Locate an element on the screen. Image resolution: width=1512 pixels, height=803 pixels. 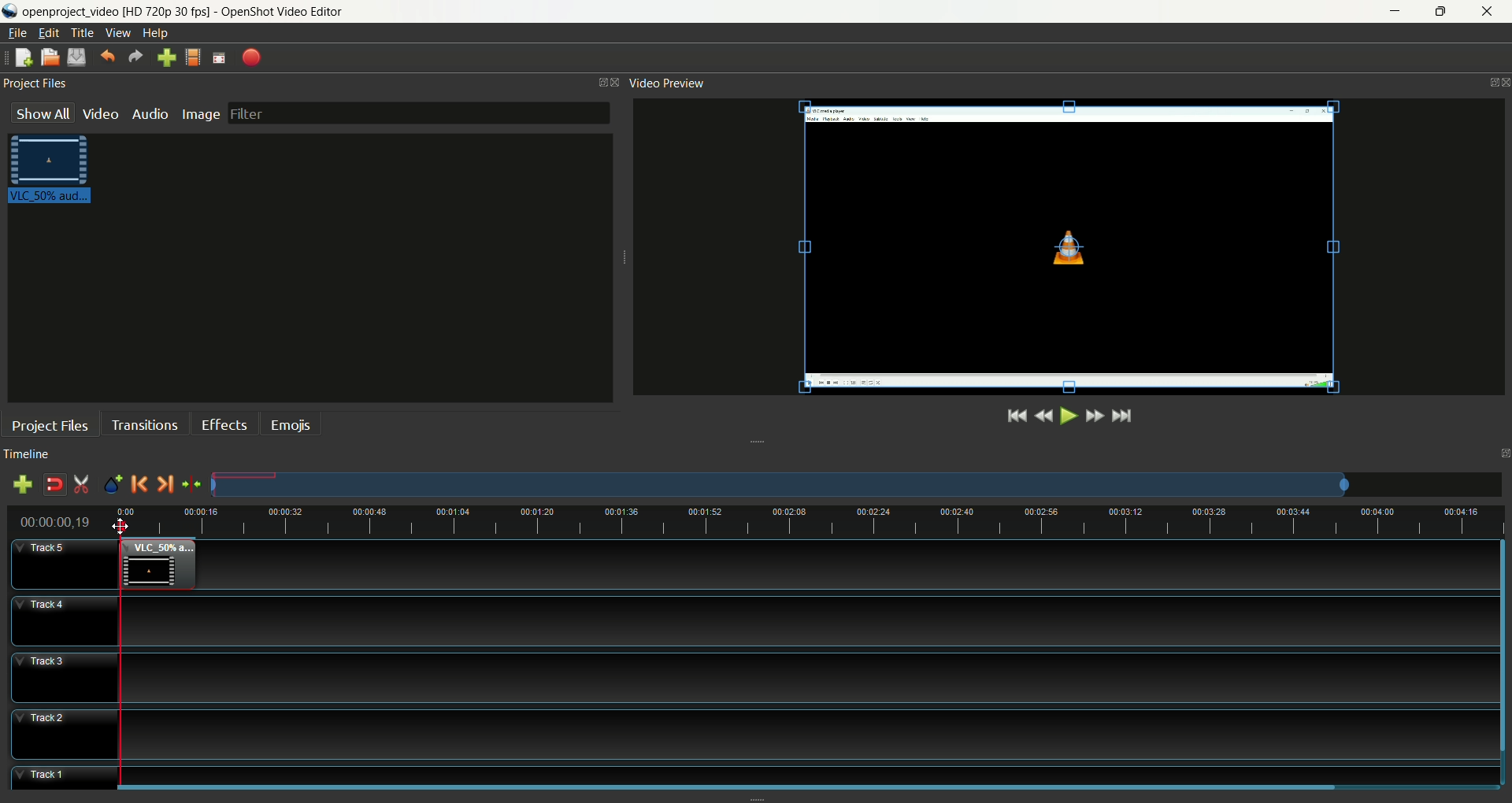
video is located at coordinates (102, 113).